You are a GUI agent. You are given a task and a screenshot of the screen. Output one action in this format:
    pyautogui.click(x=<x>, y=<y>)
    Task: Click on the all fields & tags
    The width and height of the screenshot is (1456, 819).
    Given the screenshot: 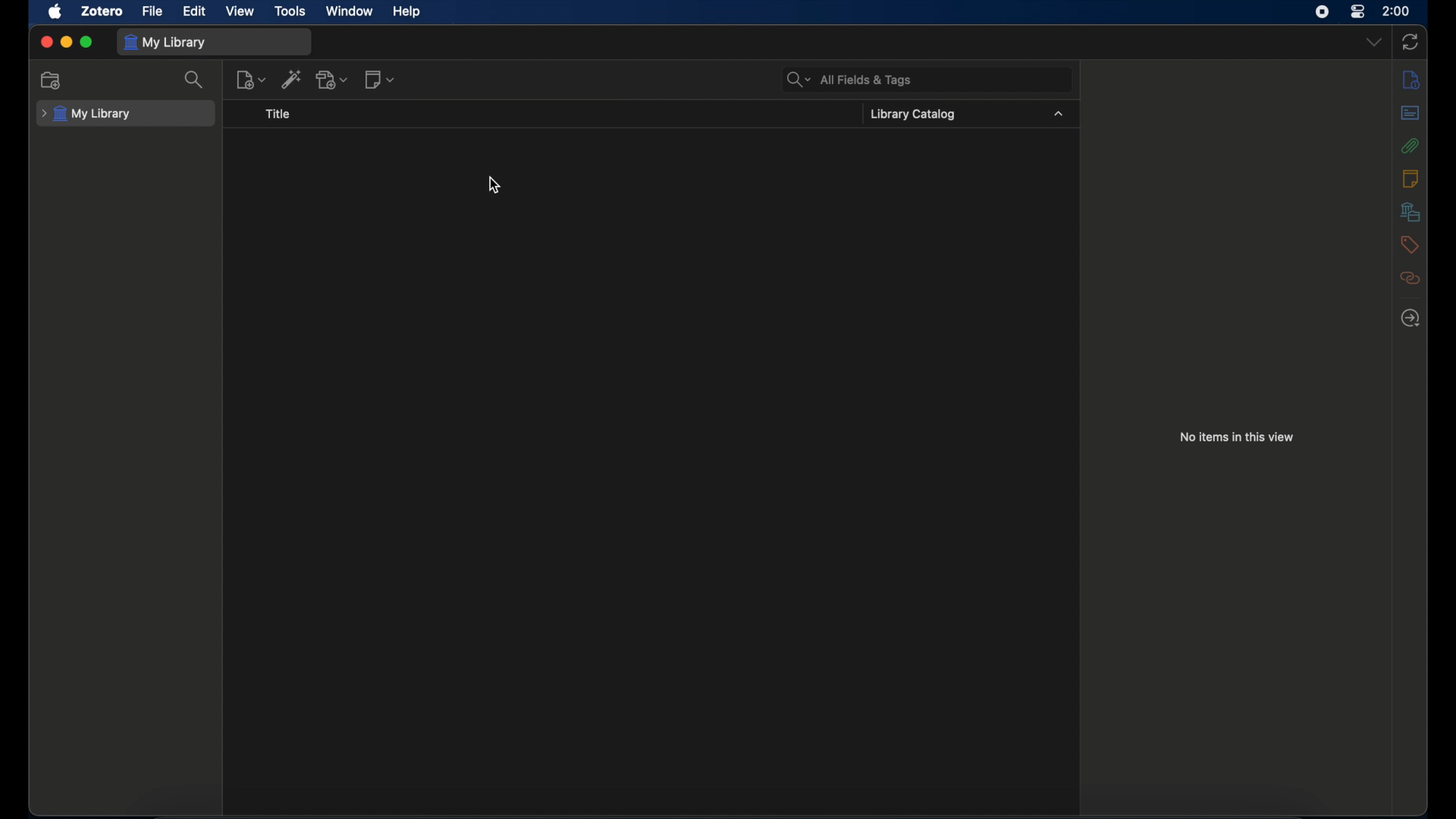 What is the action you would take?
    pyautogui.click(x=848, y=80)
    